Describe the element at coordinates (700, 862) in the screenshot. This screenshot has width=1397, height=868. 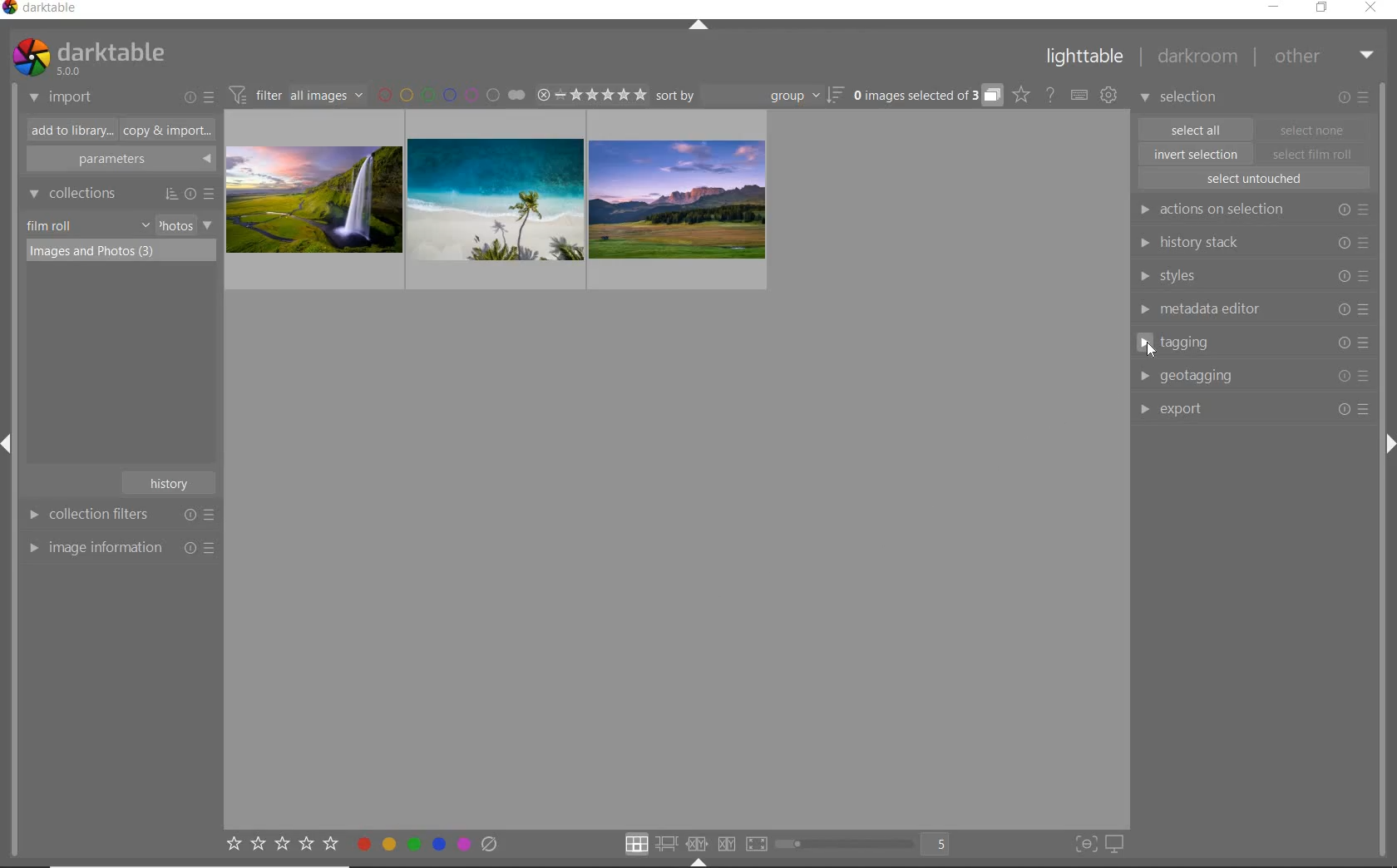
I see `Expand/Collapse` at that location.